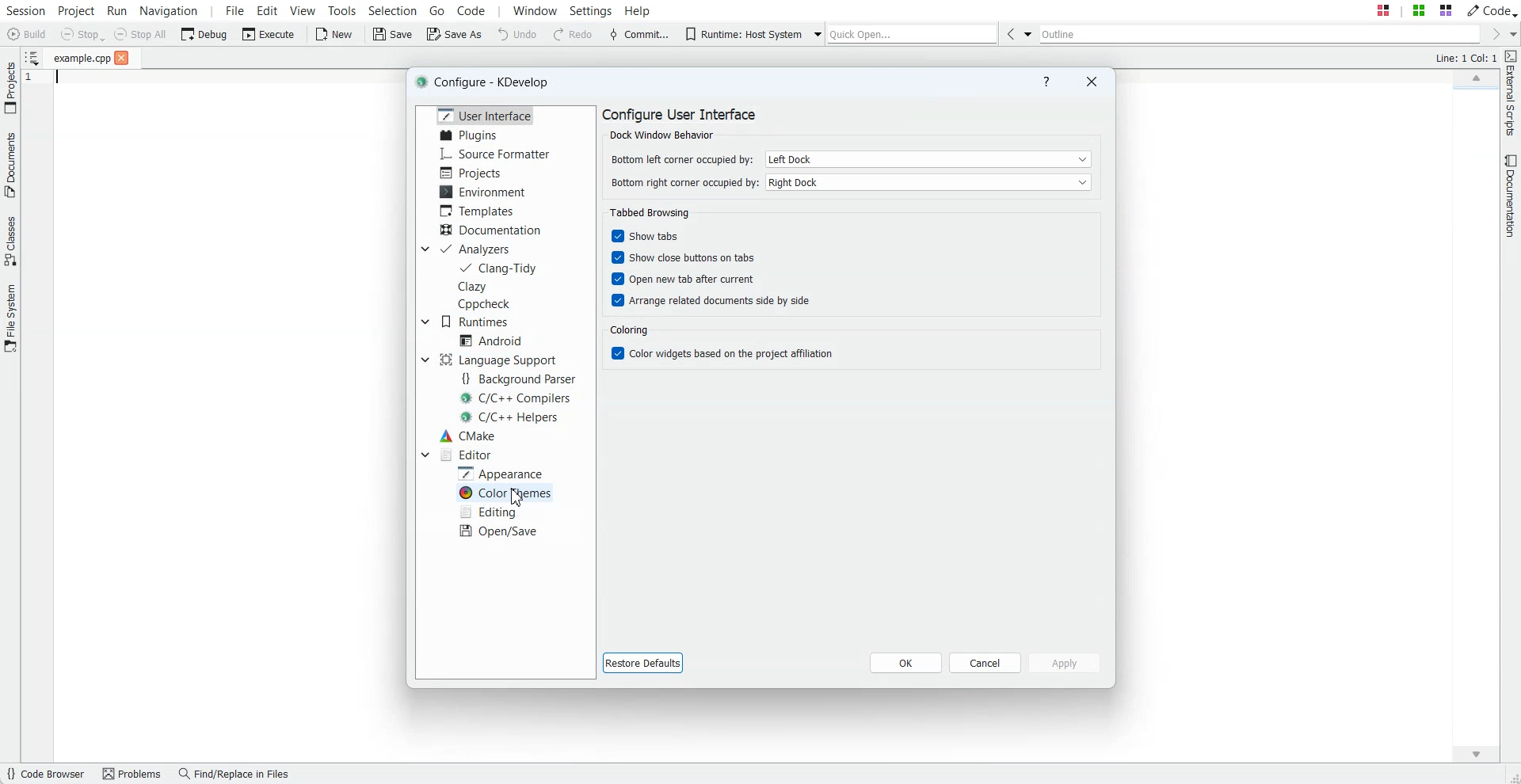 The image size is (1521, 784). I want to click on Apperarnce, so click(504, 473).